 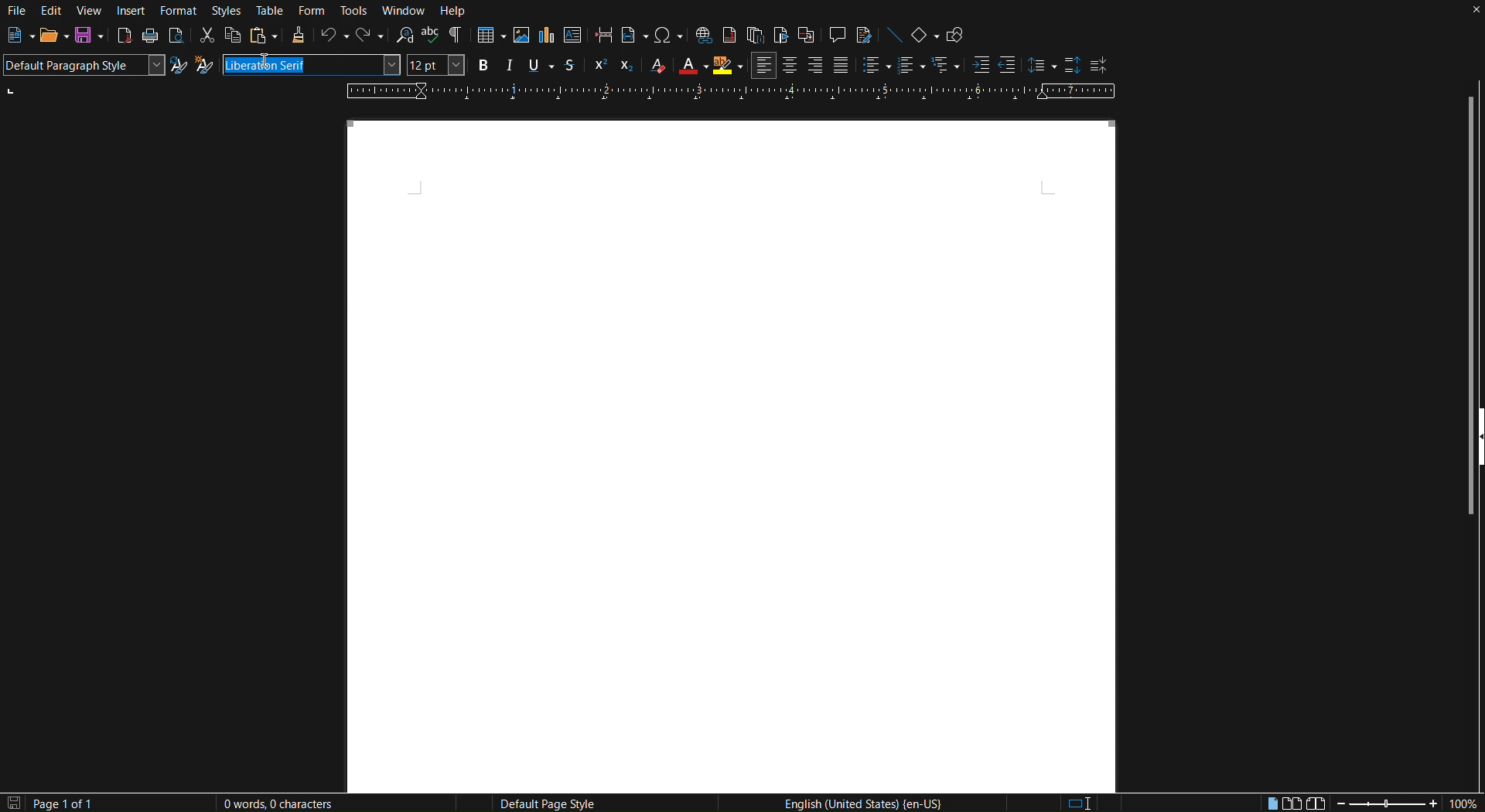 I want to click on The document has not been modified since the last save., so click(x=11, y=803).